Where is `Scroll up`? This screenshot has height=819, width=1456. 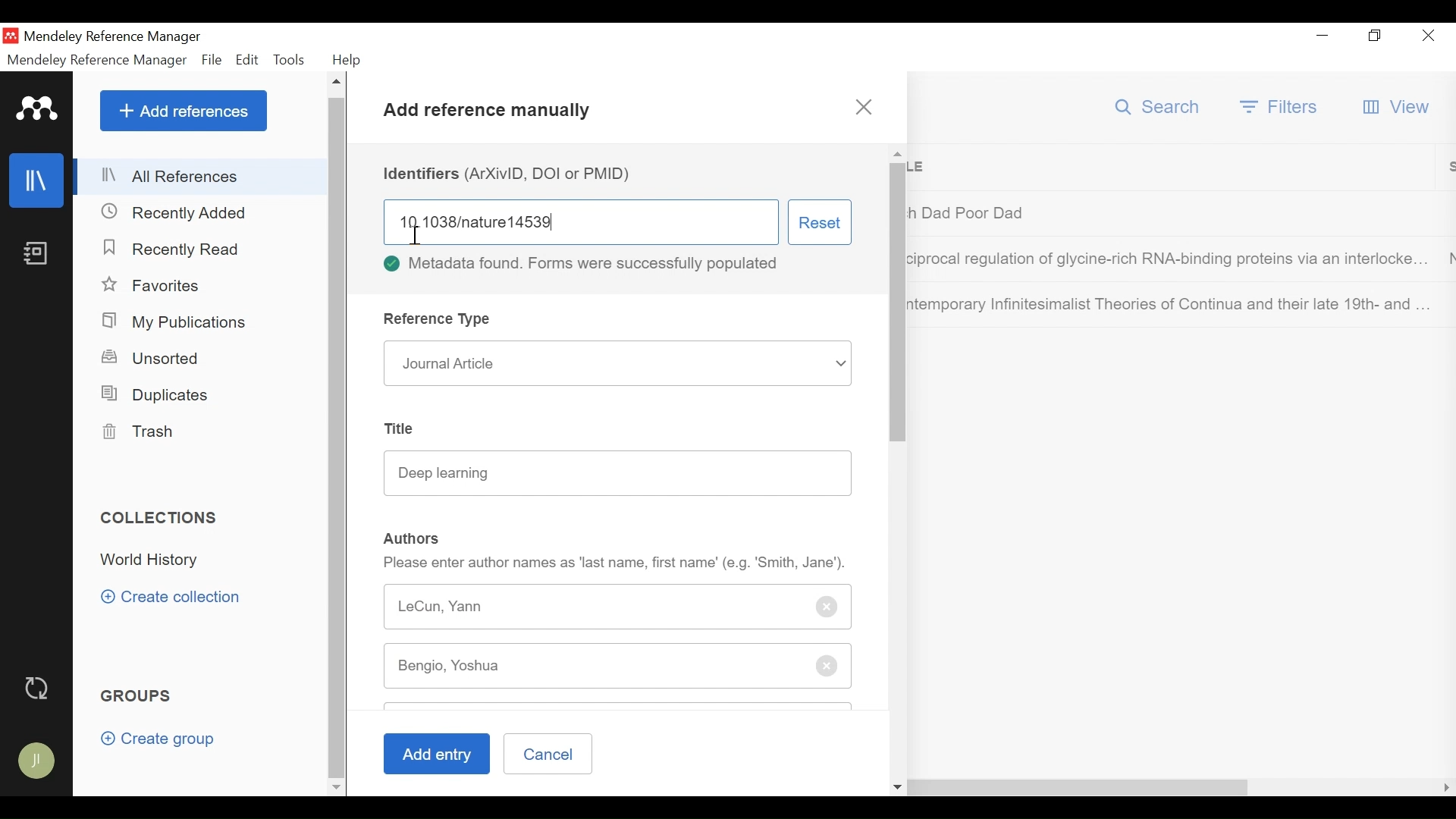
Scroll up is located at coordinates (338, 83).